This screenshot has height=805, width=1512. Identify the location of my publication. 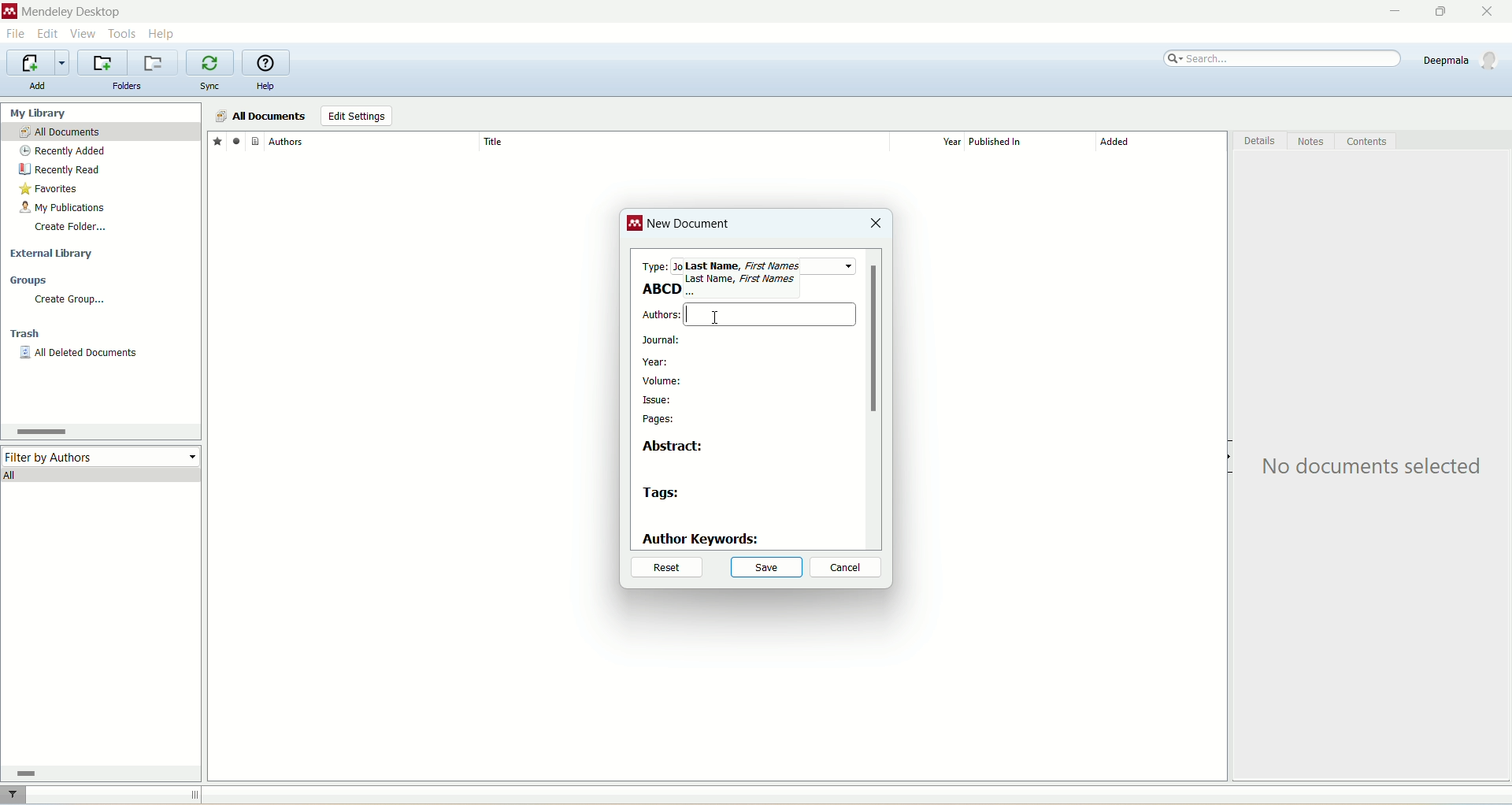
(65, 209).